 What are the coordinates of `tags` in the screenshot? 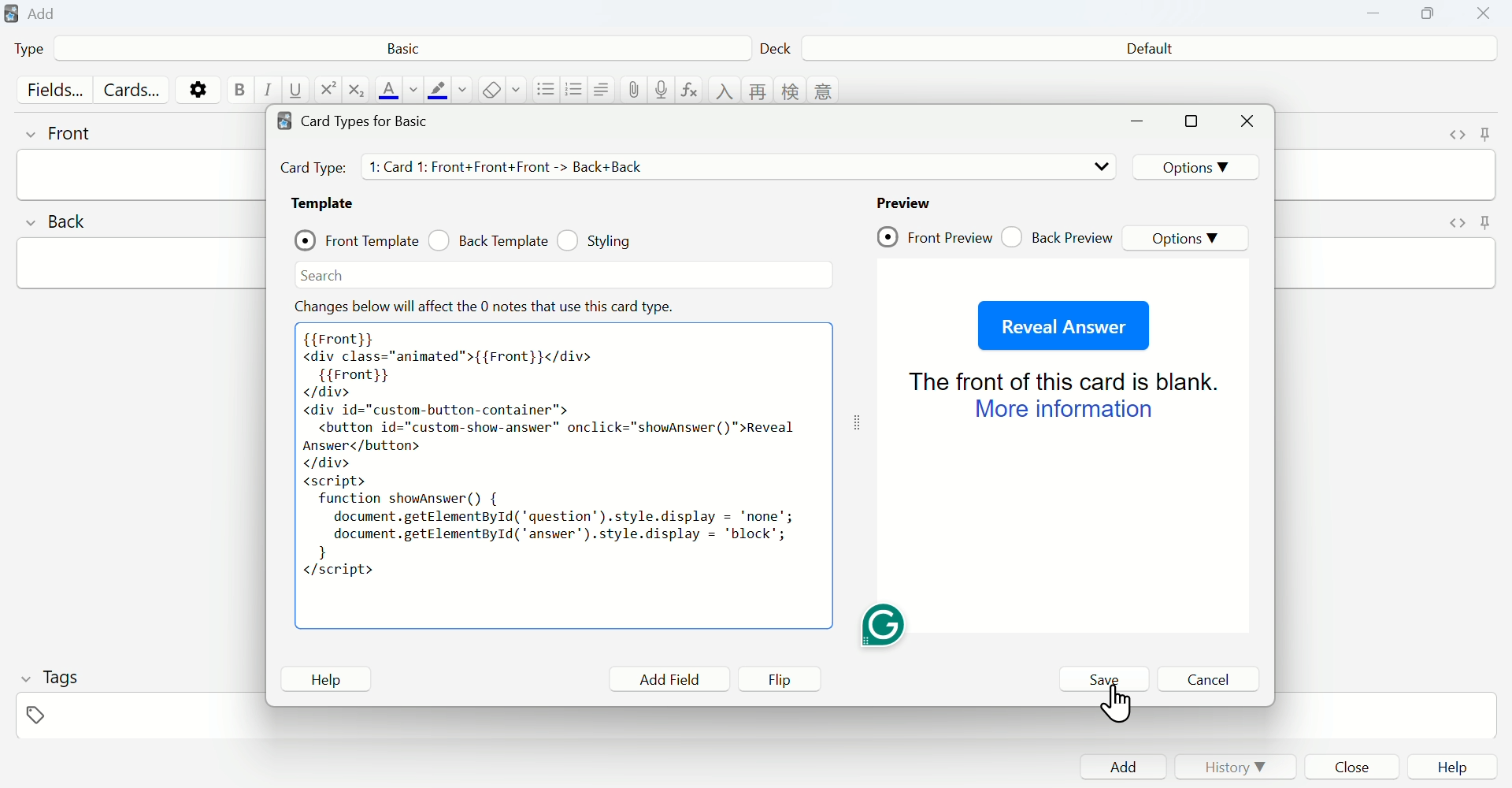 It's located at (137, 716).